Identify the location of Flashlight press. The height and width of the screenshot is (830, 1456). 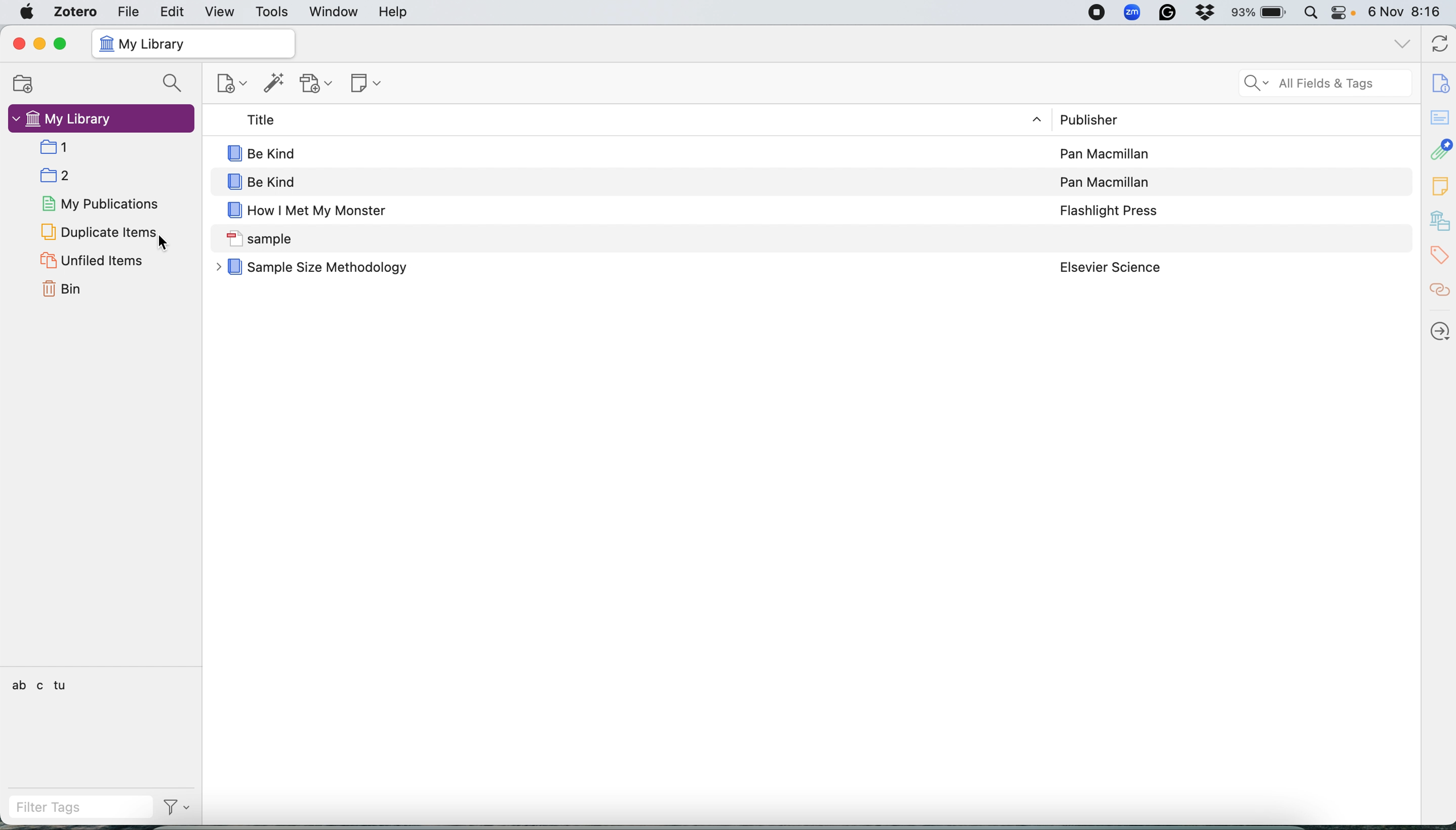
(1104, 208).